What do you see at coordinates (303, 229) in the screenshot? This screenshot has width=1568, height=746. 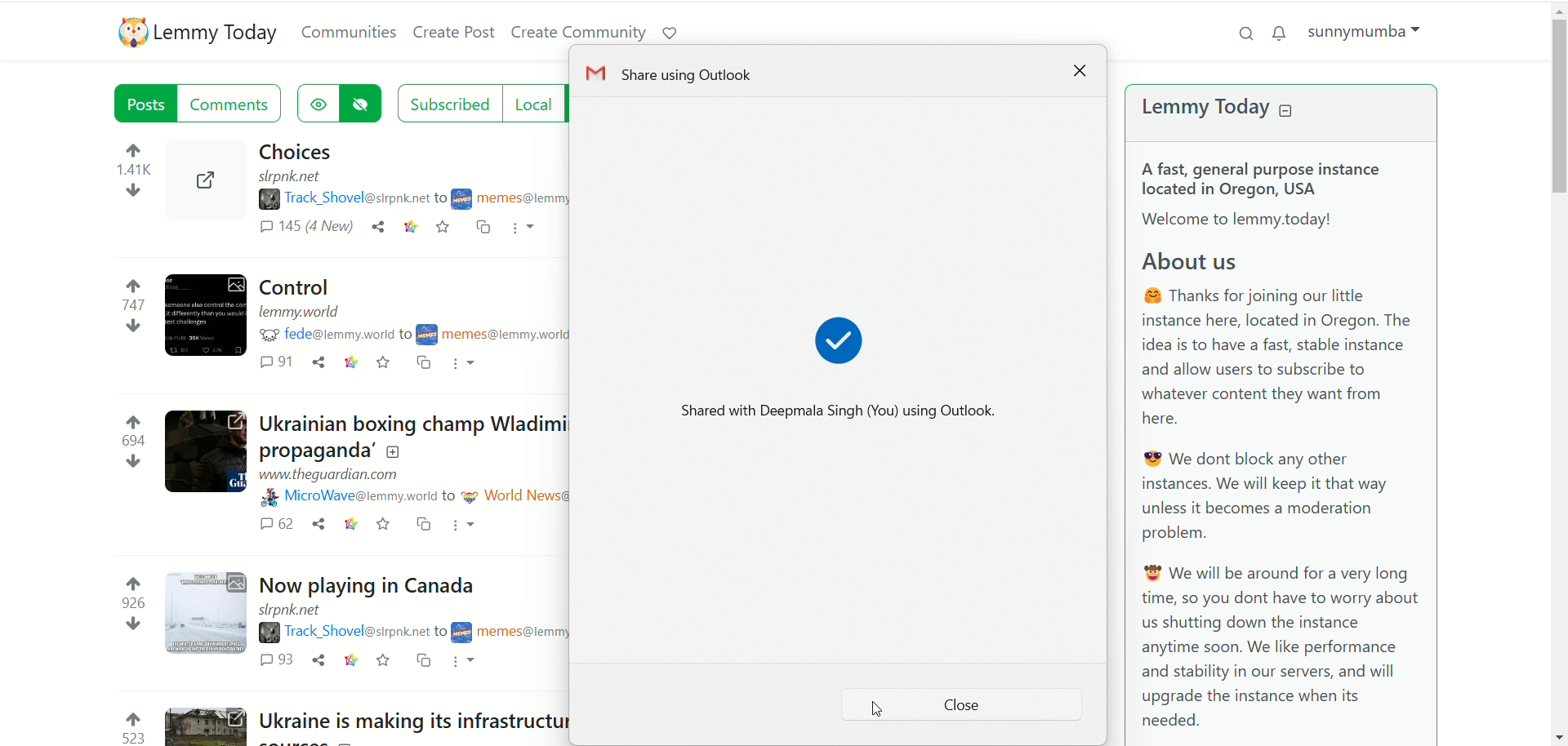 I see `comments` at bounding box center [303, 229].